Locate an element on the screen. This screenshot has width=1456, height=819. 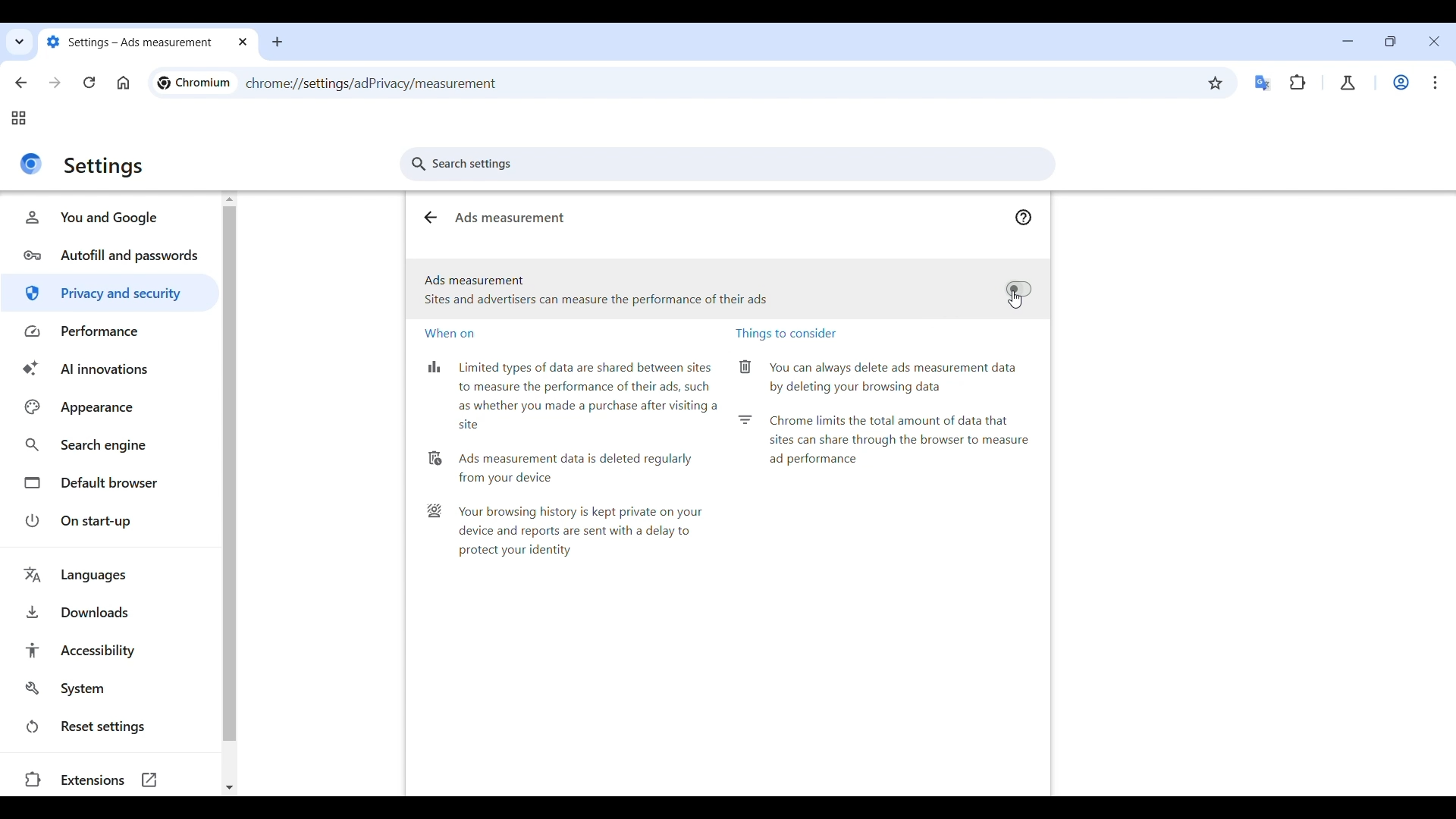
Things to consider is located at coordinates (795, 335).